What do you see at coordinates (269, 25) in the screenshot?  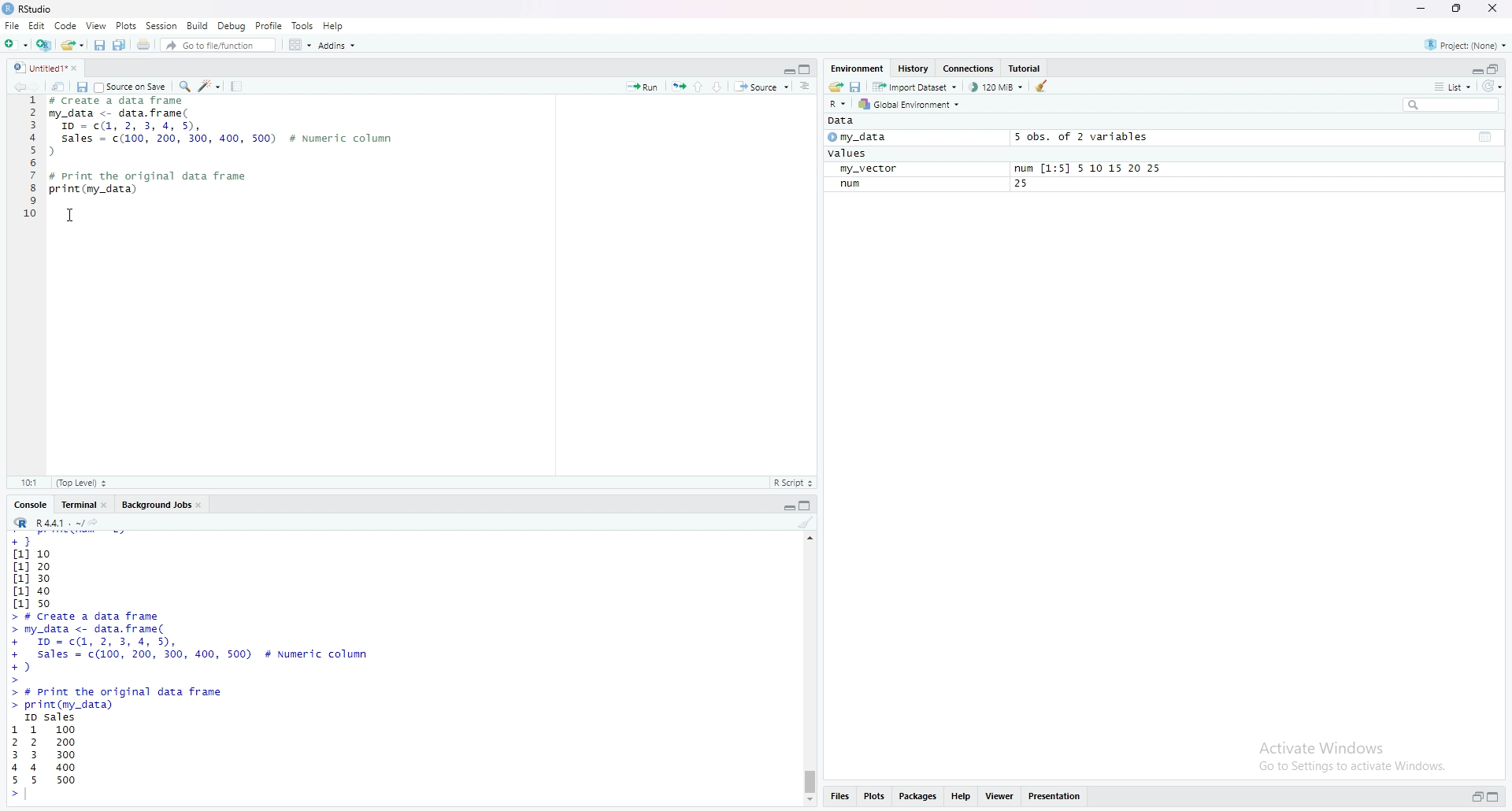 I see `Profile` at bounding box center [269, 25].